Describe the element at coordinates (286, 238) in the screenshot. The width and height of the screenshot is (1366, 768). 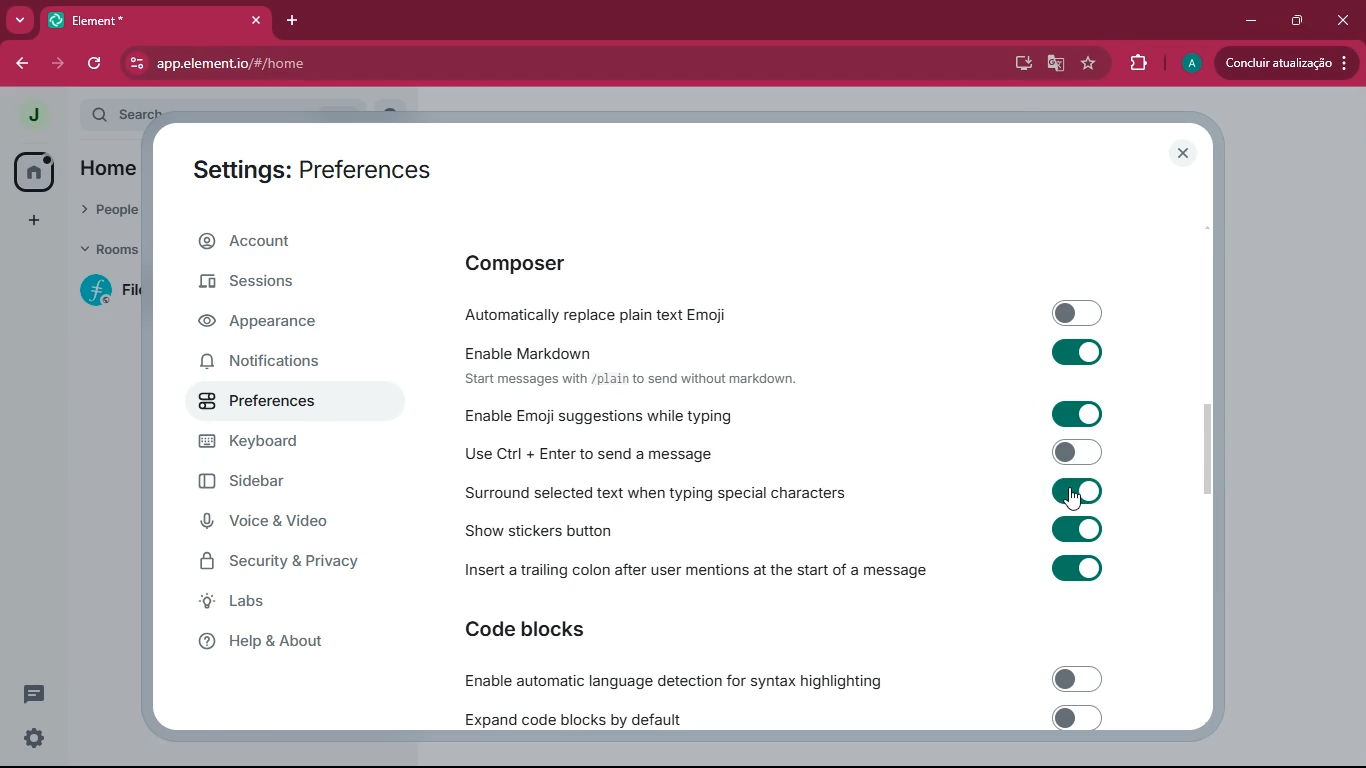
I see `account` at that location.